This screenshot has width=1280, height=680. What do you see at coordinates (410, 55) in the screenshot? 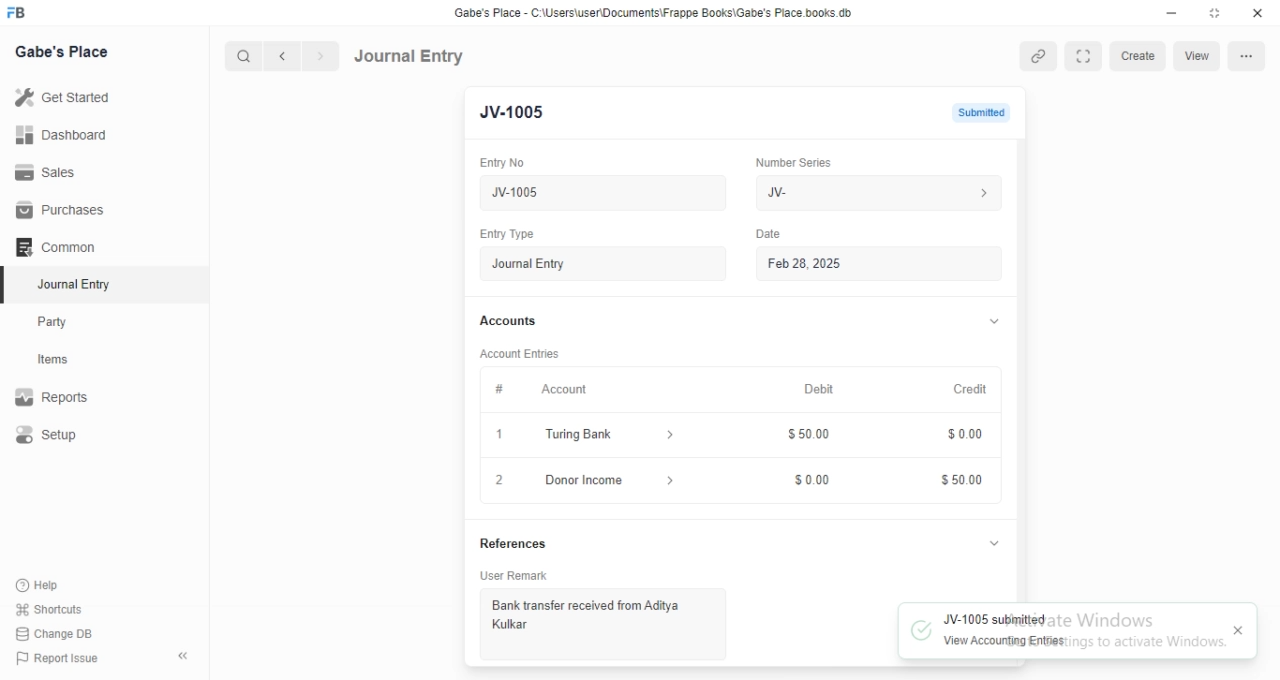
I see `Journal Entry` at bounding box center [410, 55].